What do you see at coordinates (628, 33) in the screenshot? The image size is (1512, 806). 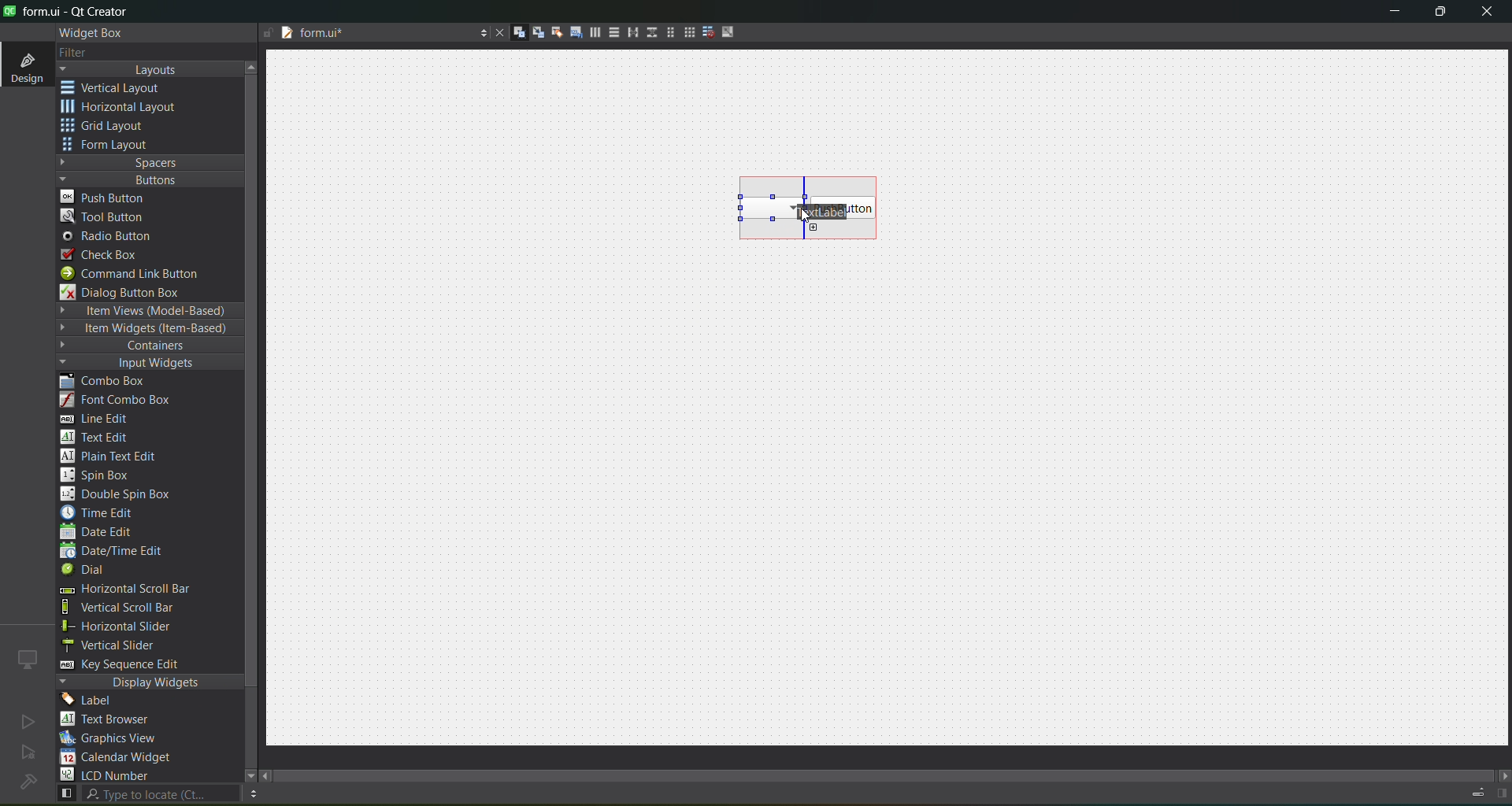 I see `horizontal splitter` at bounding box center [628, 33].